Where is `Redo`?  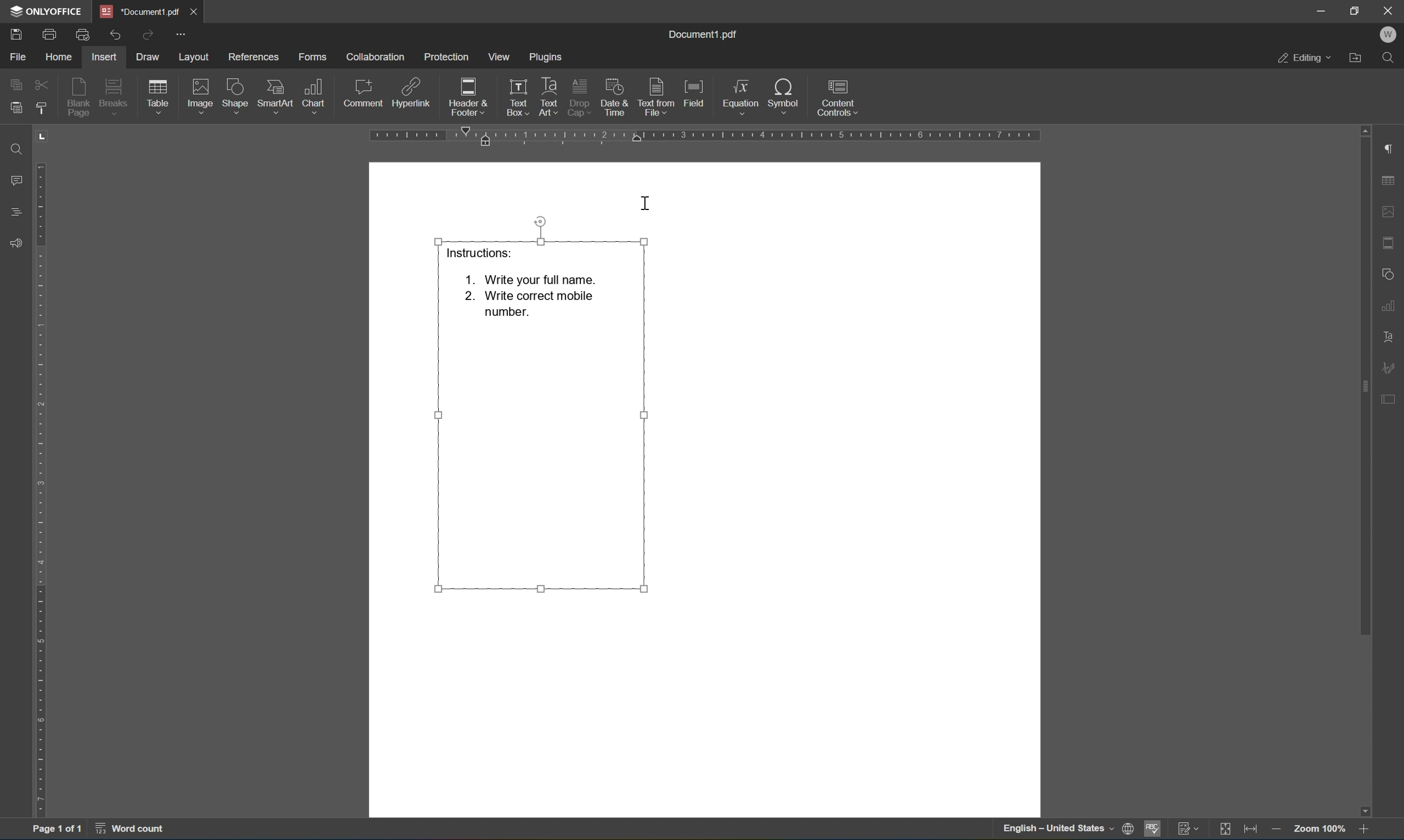 Redo is located at coordinates (145, 34).